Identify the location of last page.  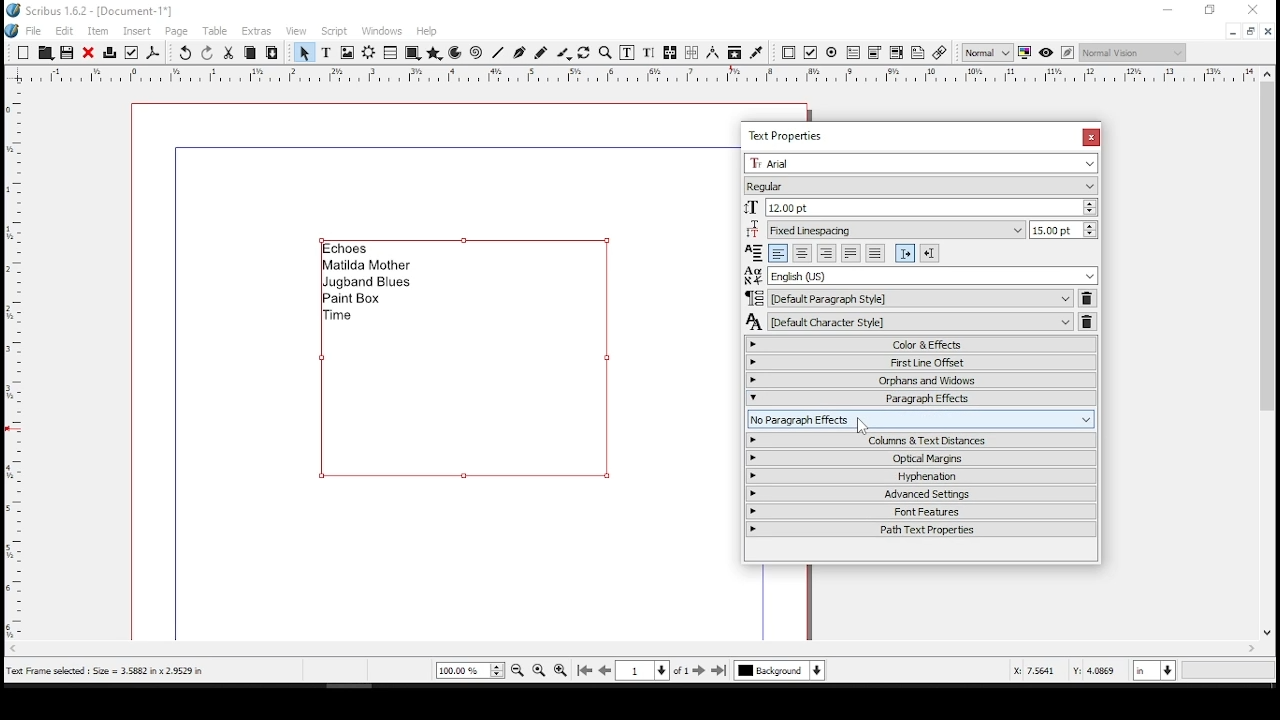
(720, 670).